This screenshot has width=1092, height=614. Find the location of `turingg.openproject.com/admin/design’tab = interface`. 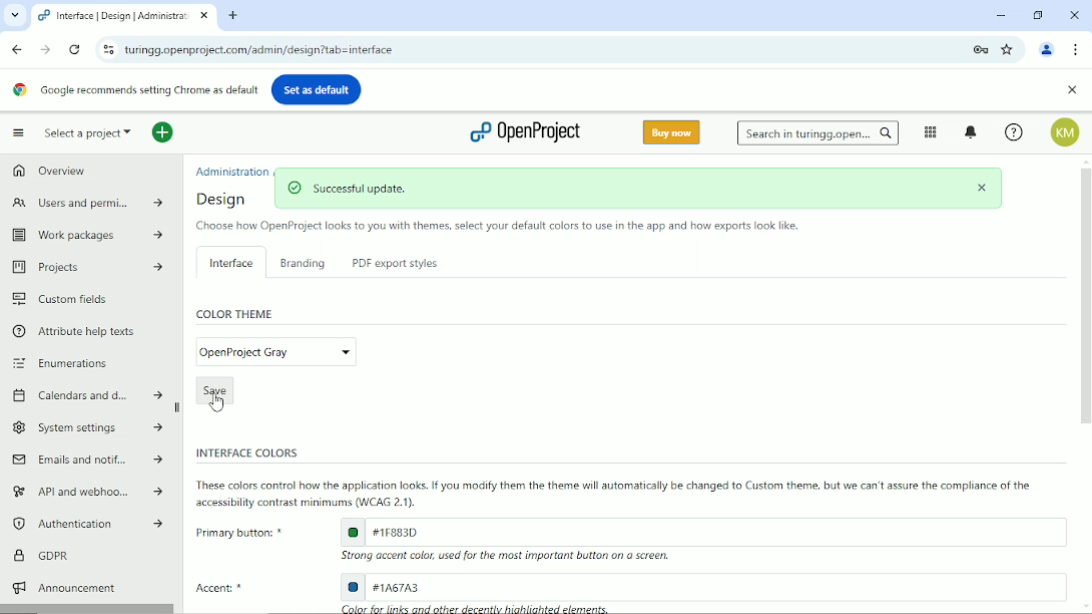

turingg.openproject.com/admin/design’tab = interface is located at coordinates (541, 48).